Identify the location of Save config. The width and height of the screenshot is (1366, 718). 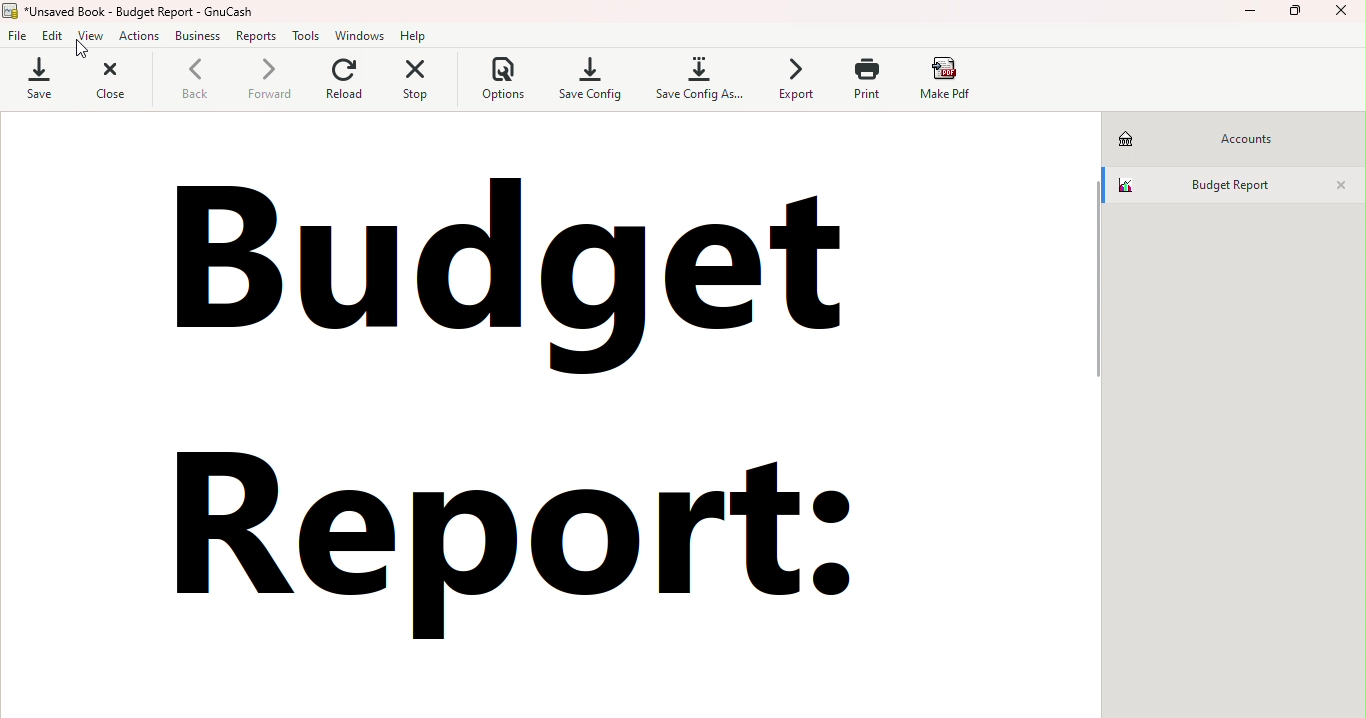
(592, 77).